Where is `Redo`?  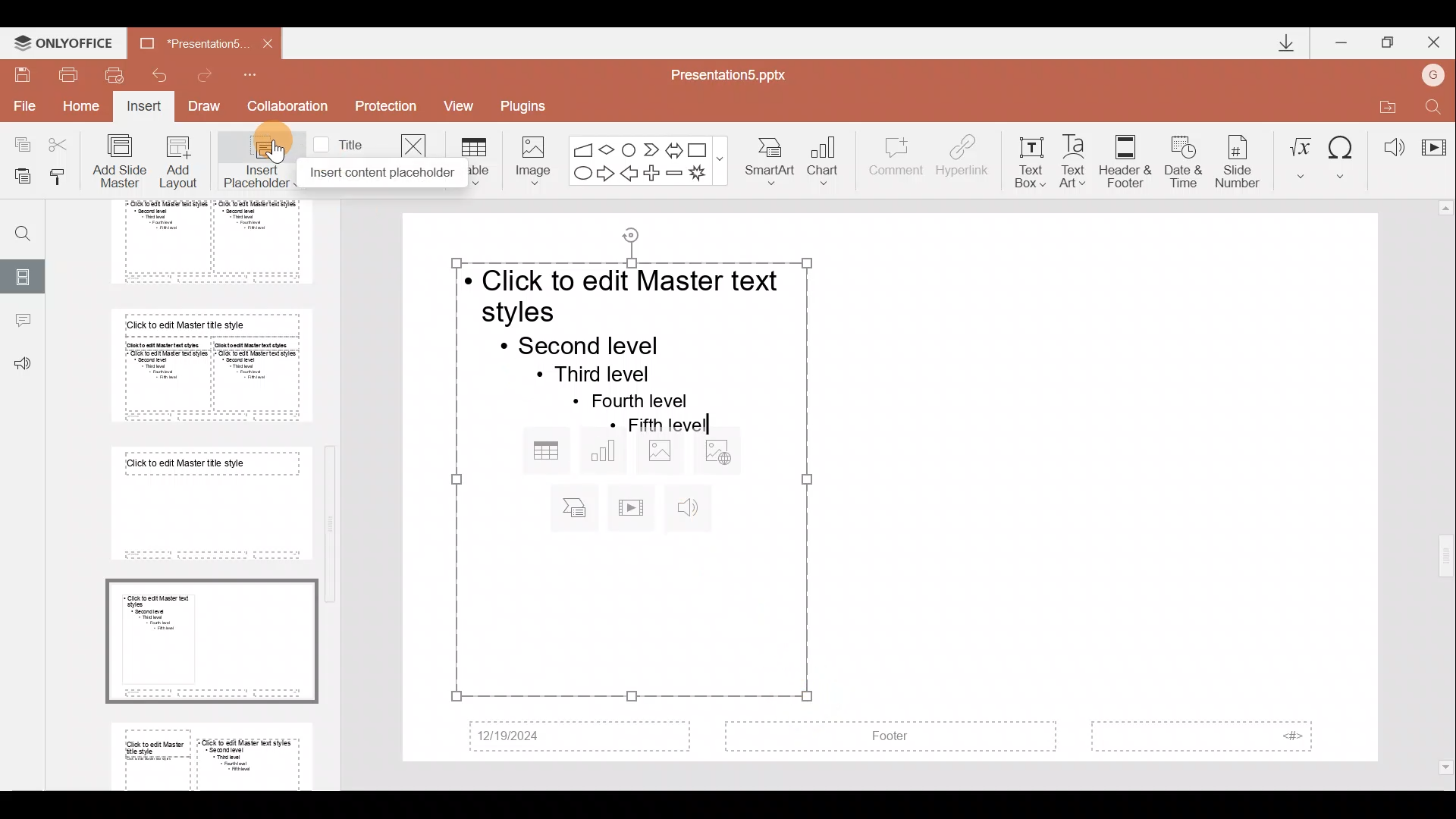 Redo is located at coordinates (211, 75).